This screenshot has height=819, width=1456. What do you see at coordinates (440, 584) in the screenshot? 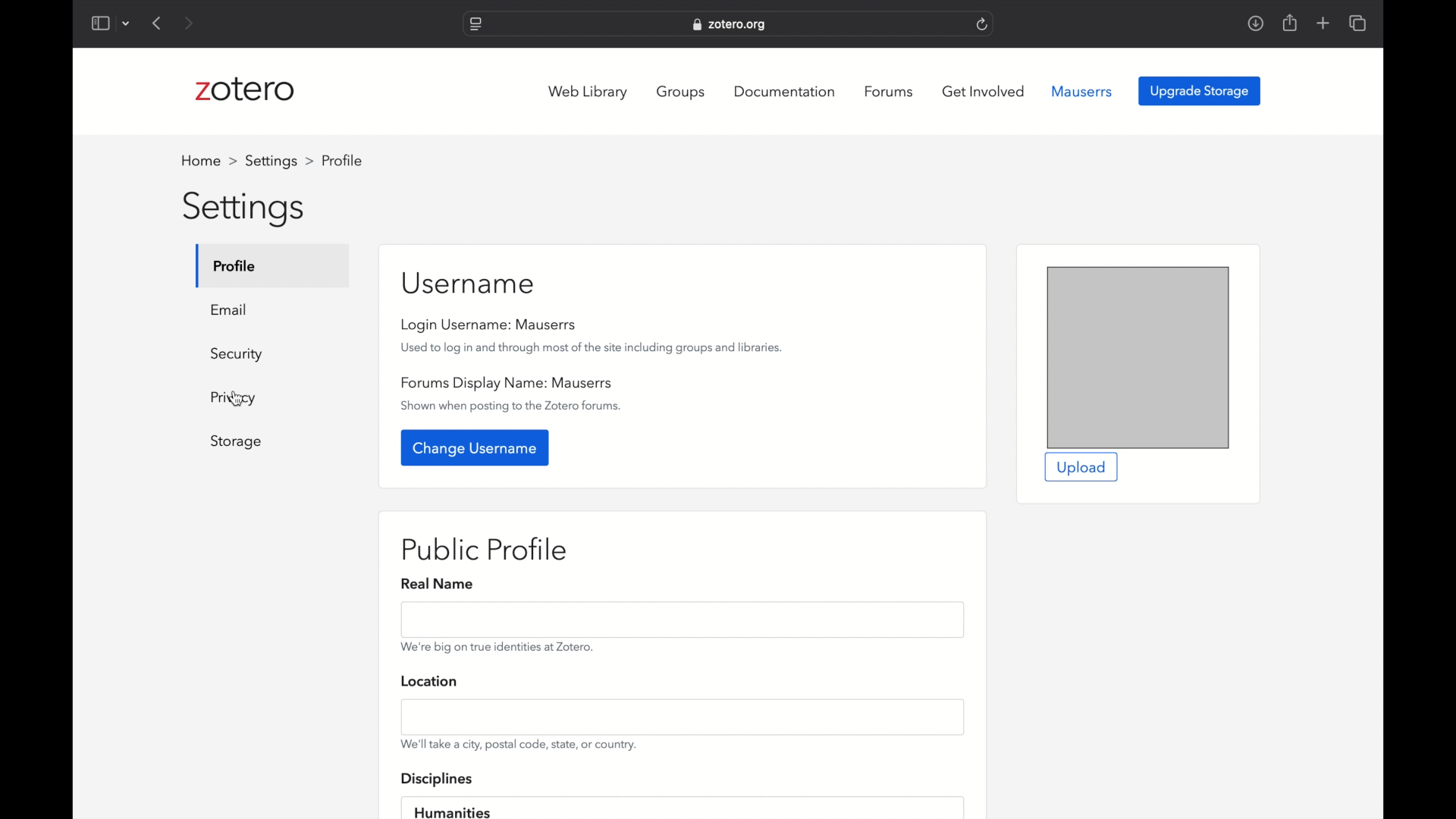
I see `real name` at bounding box center [440, 584].